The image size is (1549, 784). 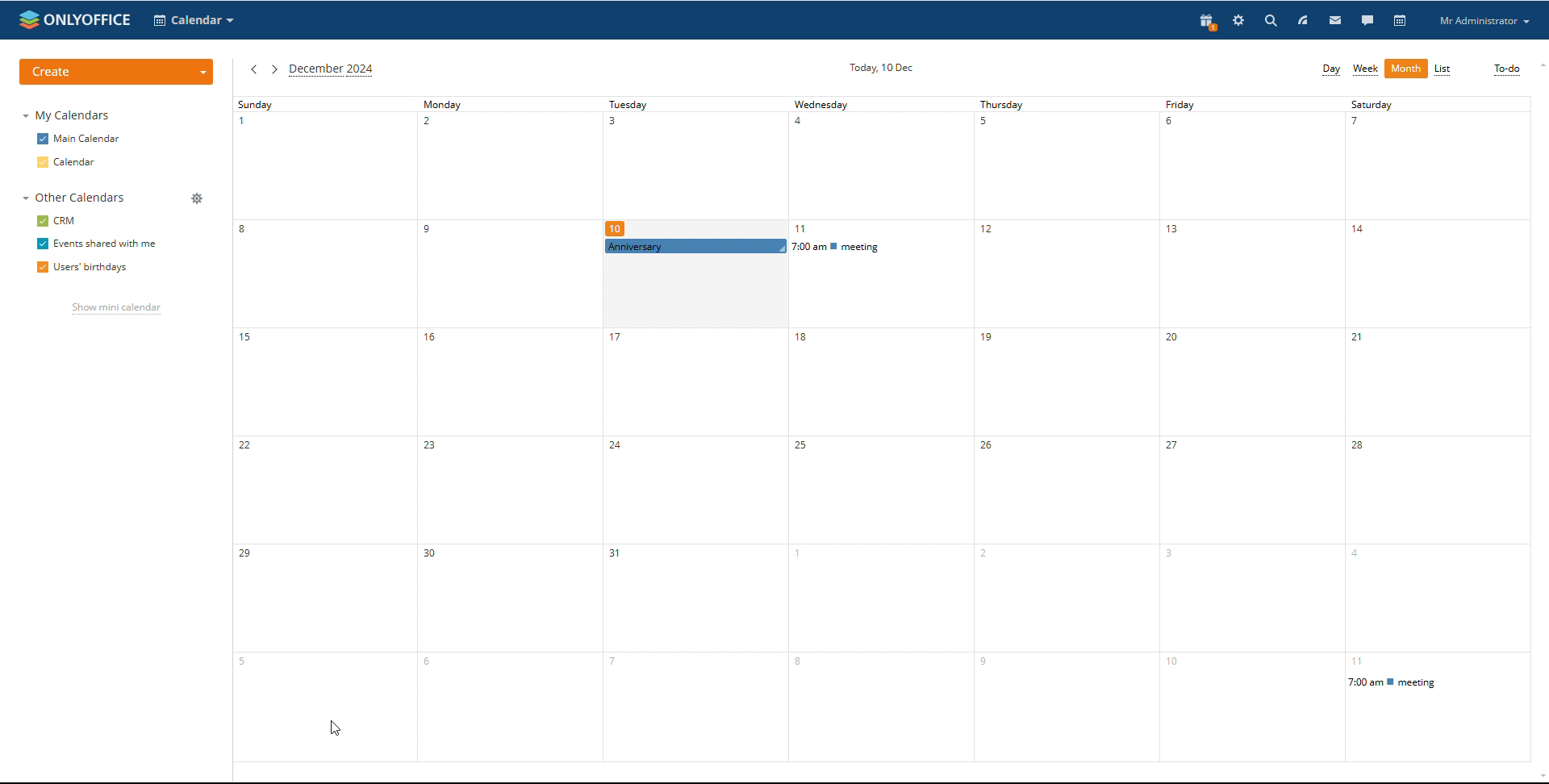 What do you see at coordinates (73, 19) in the screenshot?
I see `logo` at bounding box center [73, 19].